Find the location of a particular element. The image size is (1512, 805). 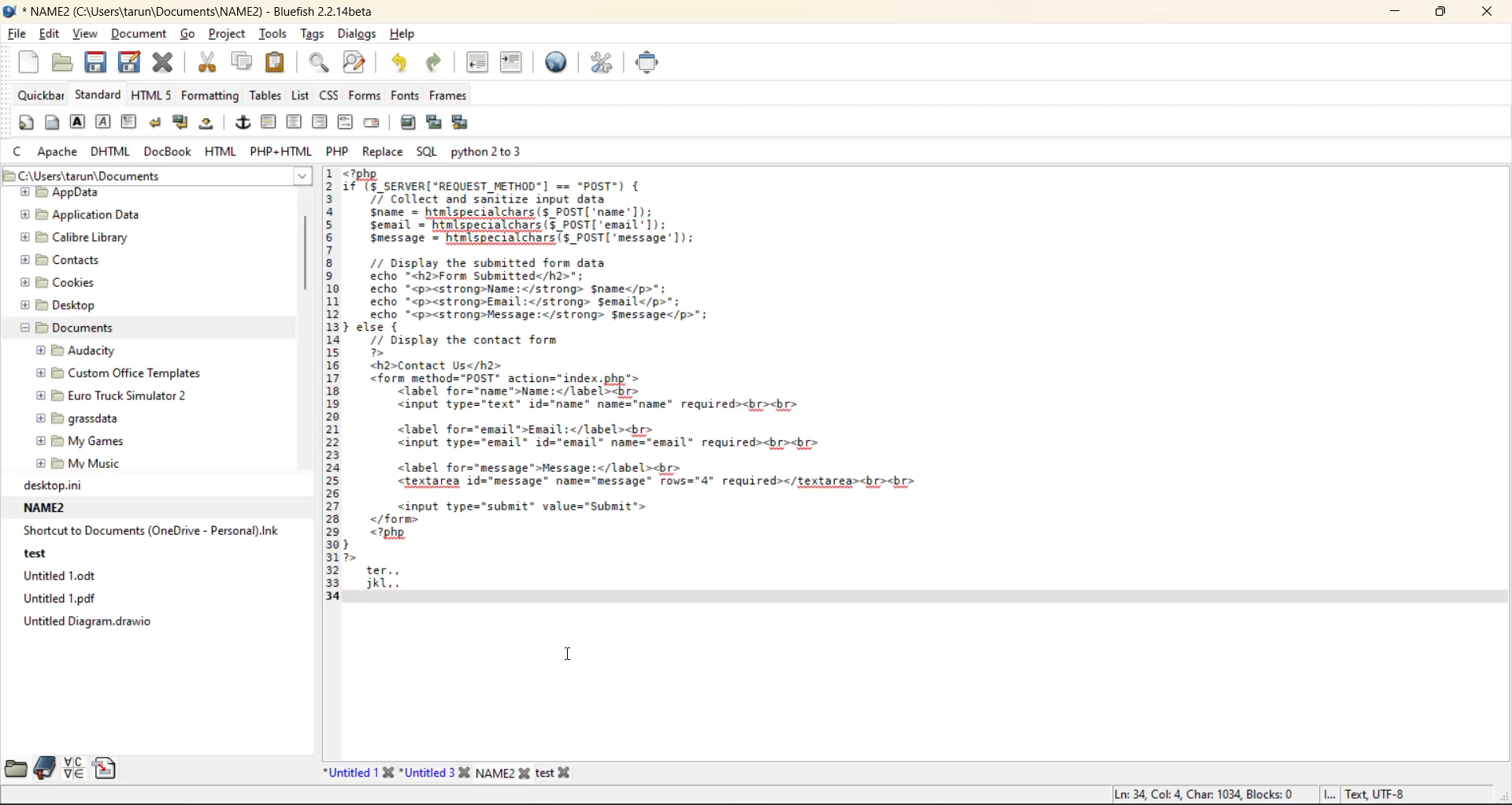

paragraph is located at coordinates (132, 123).